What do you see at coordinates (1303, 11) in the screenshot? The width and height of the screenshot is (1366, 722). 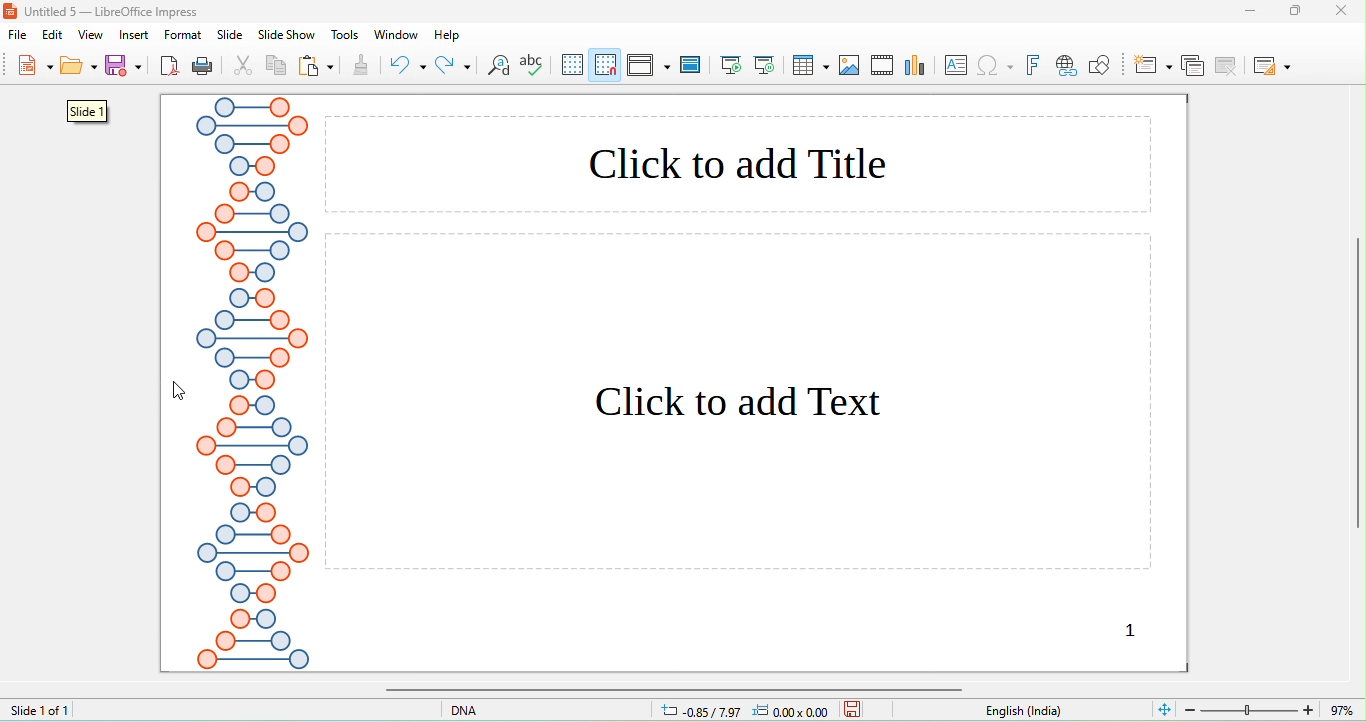 I see `maximize` at bounding box center [1303, 11].